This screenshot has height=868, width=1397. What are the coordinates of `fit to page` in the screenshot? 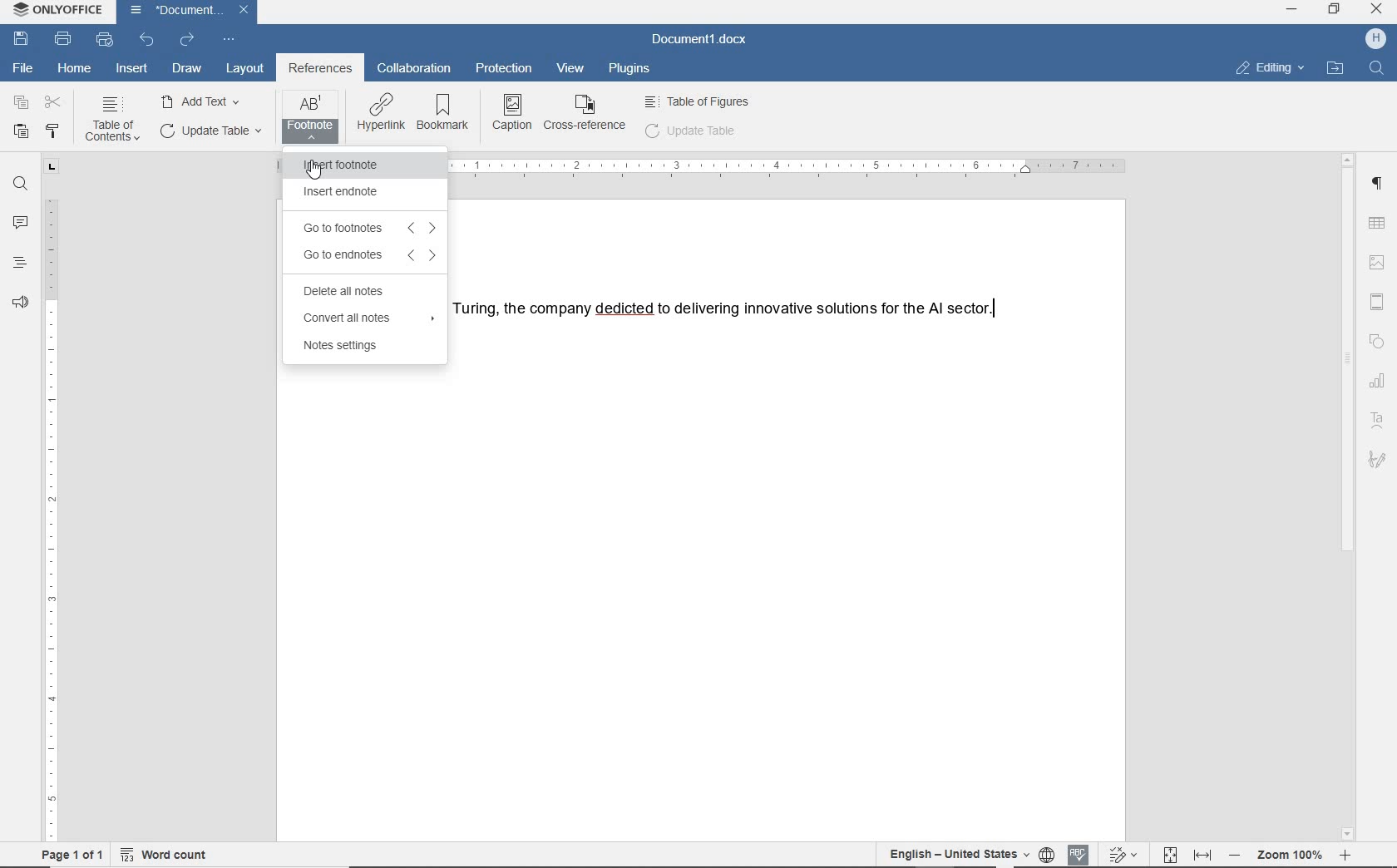 It's located at (1171, 856).